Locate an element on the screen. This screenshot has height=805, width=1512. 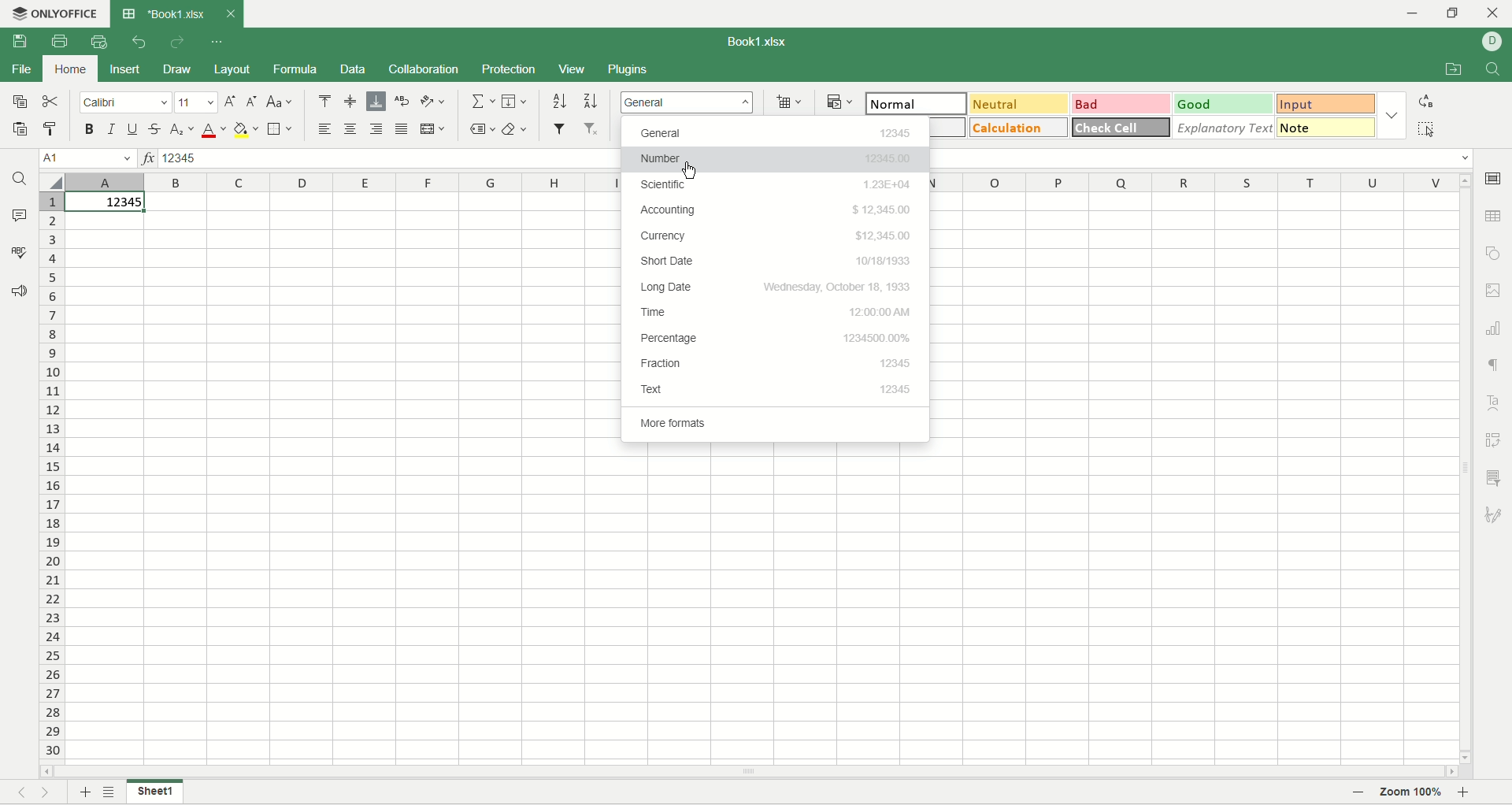
insert  is located at coordinates (126, 72).